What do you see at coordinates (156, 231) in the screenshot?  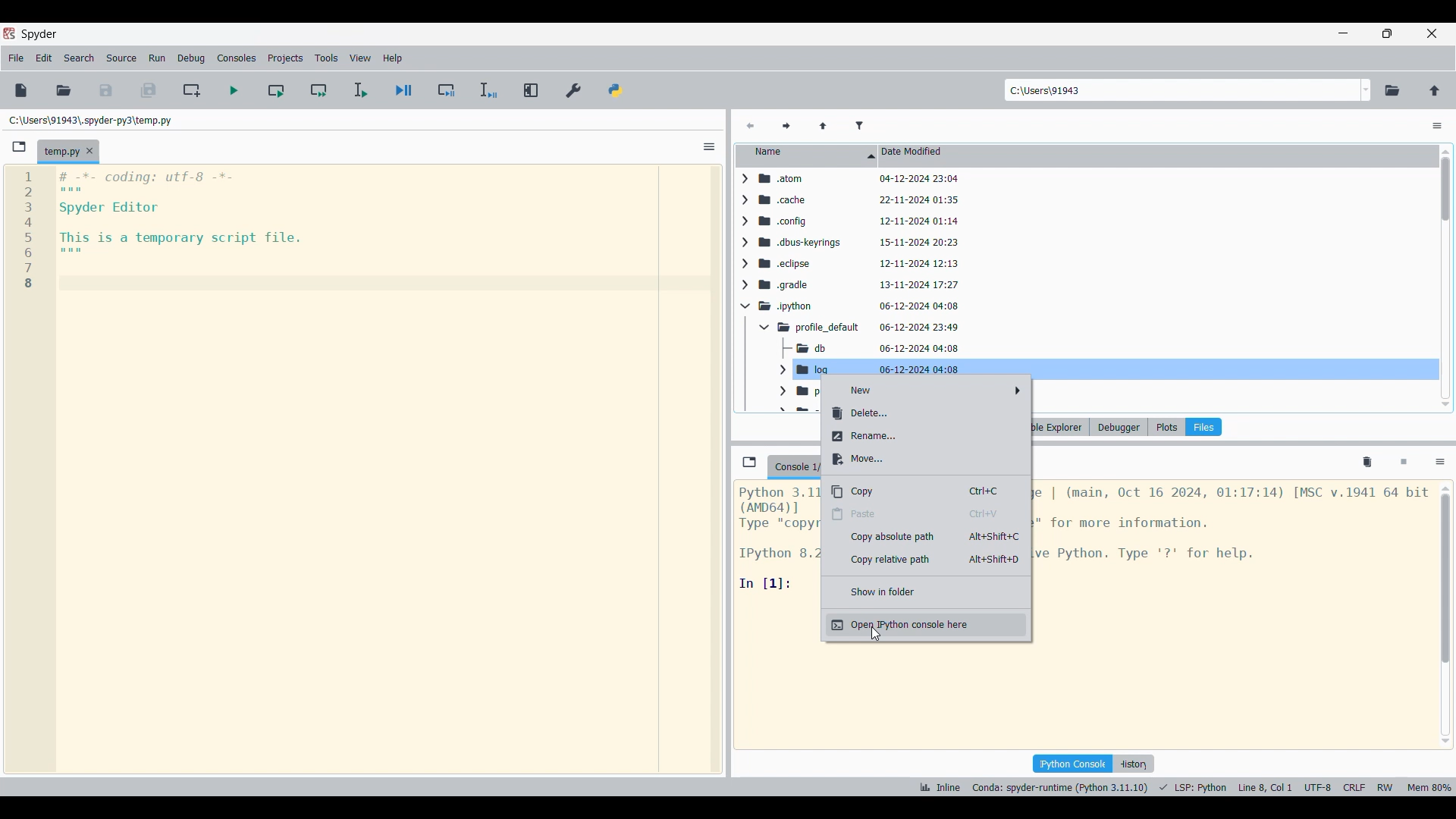 I see `Current code` at bounding box center [156, 231].